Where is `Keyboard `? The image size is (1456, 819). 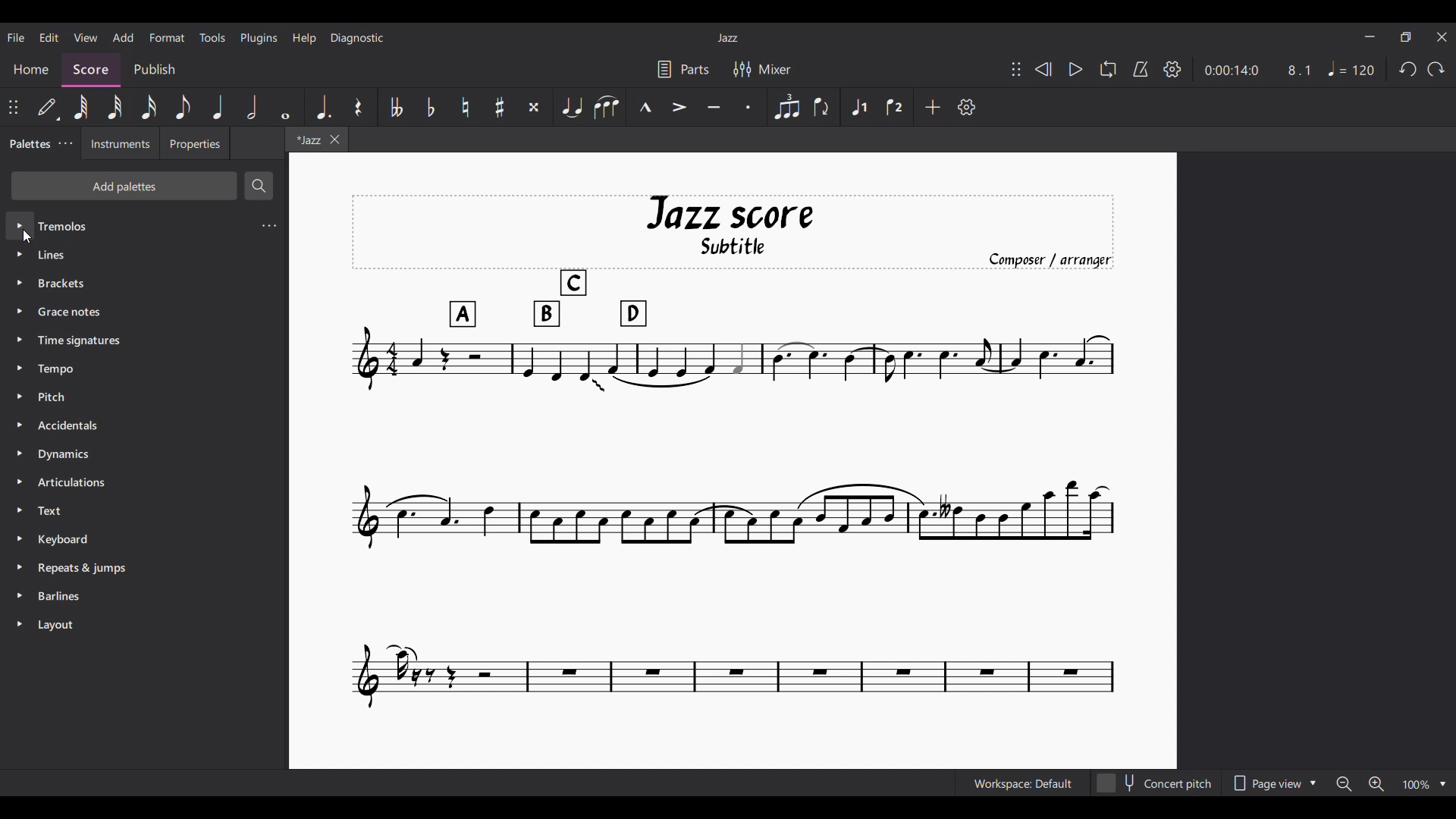
Keyboard  is located at coordinates (143, 539).